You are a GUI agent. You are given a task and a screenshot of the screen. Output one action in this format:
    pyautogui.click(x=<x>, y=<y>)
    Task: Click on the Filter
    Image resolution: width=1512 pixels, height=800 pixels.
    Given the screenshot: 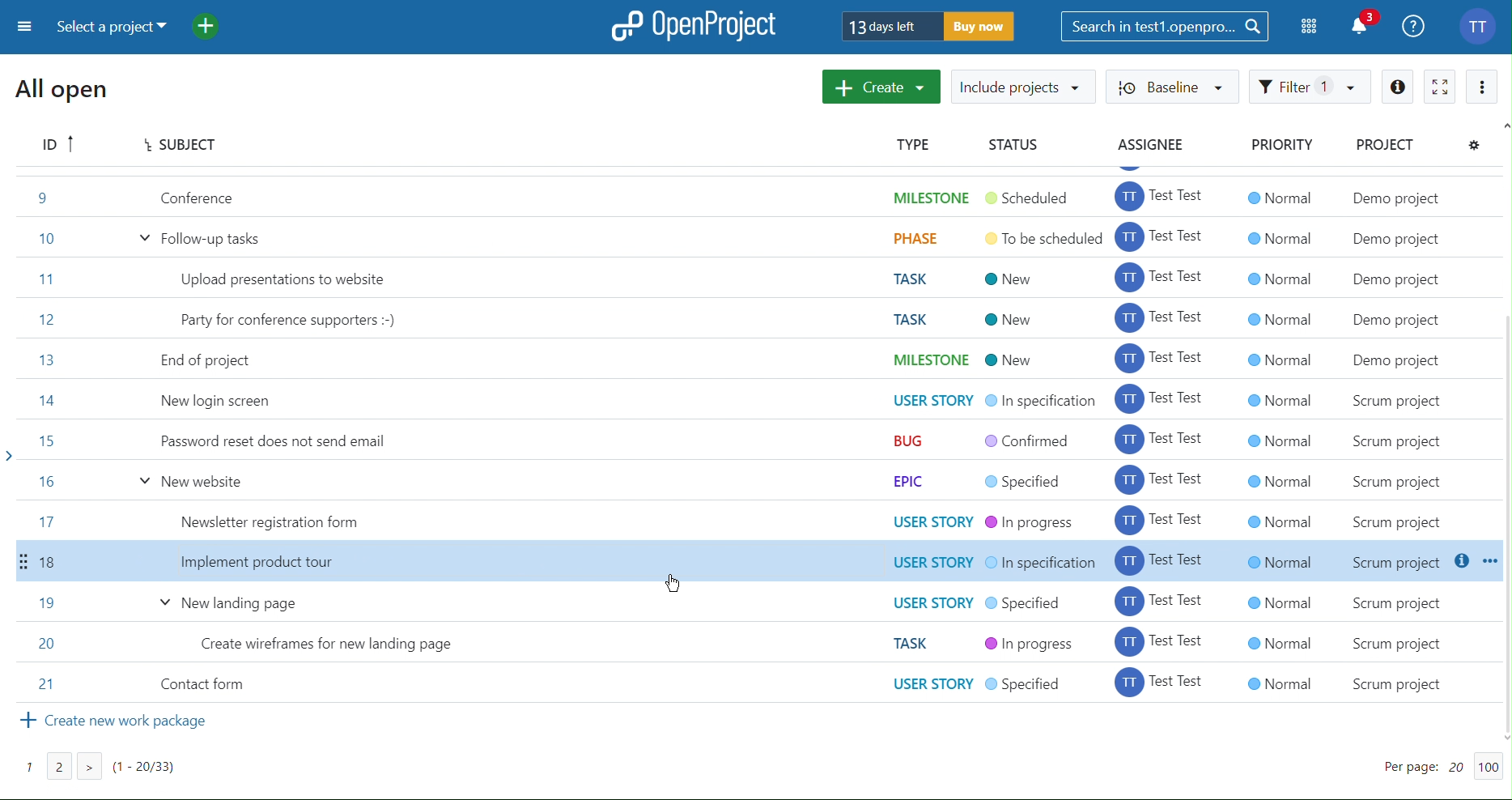 What is the action you would take?
    pyautogui.click(x=1311, y=87)
    